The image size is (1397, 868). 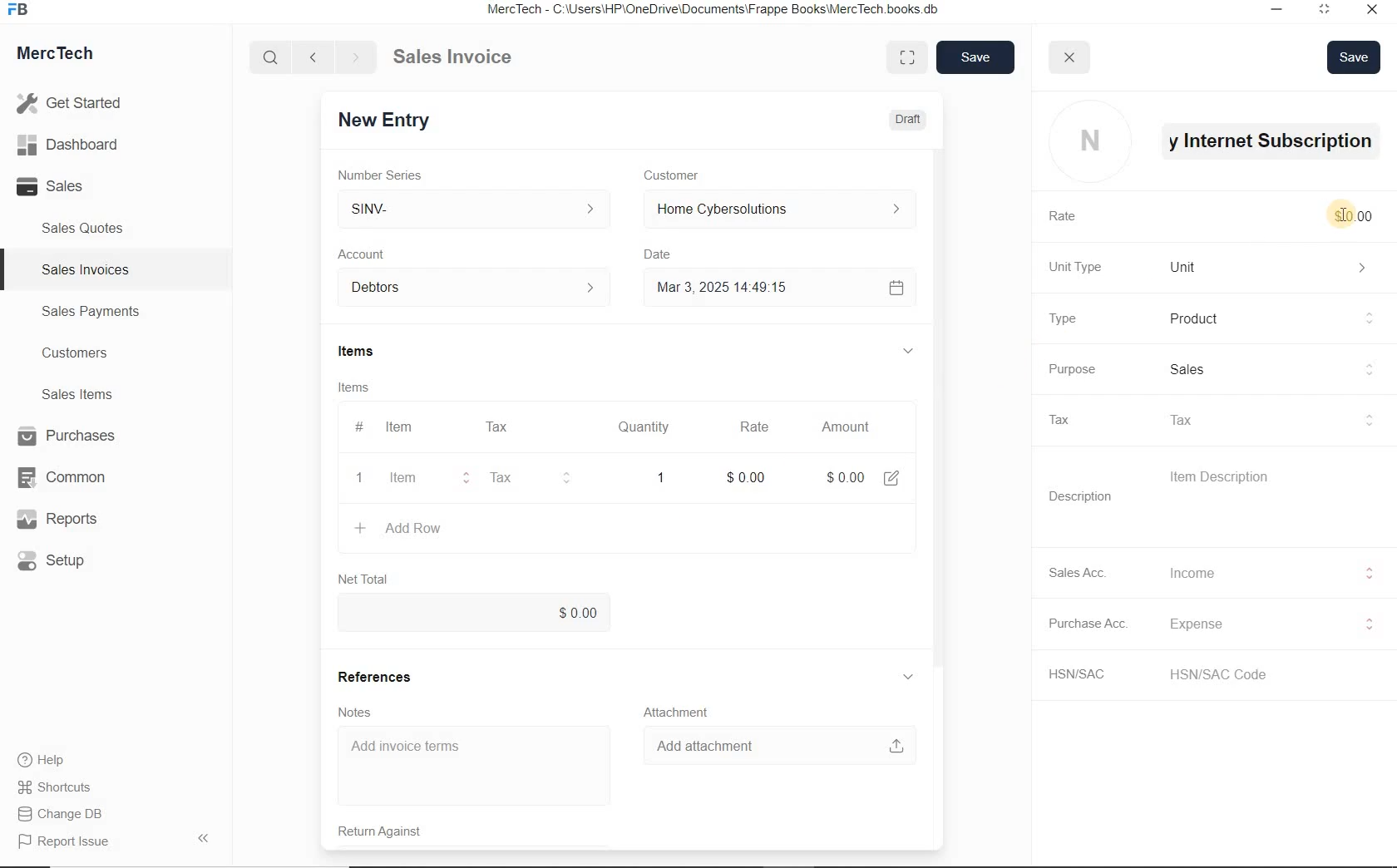 I want to click on Return Against, so click(x=391, y=830).